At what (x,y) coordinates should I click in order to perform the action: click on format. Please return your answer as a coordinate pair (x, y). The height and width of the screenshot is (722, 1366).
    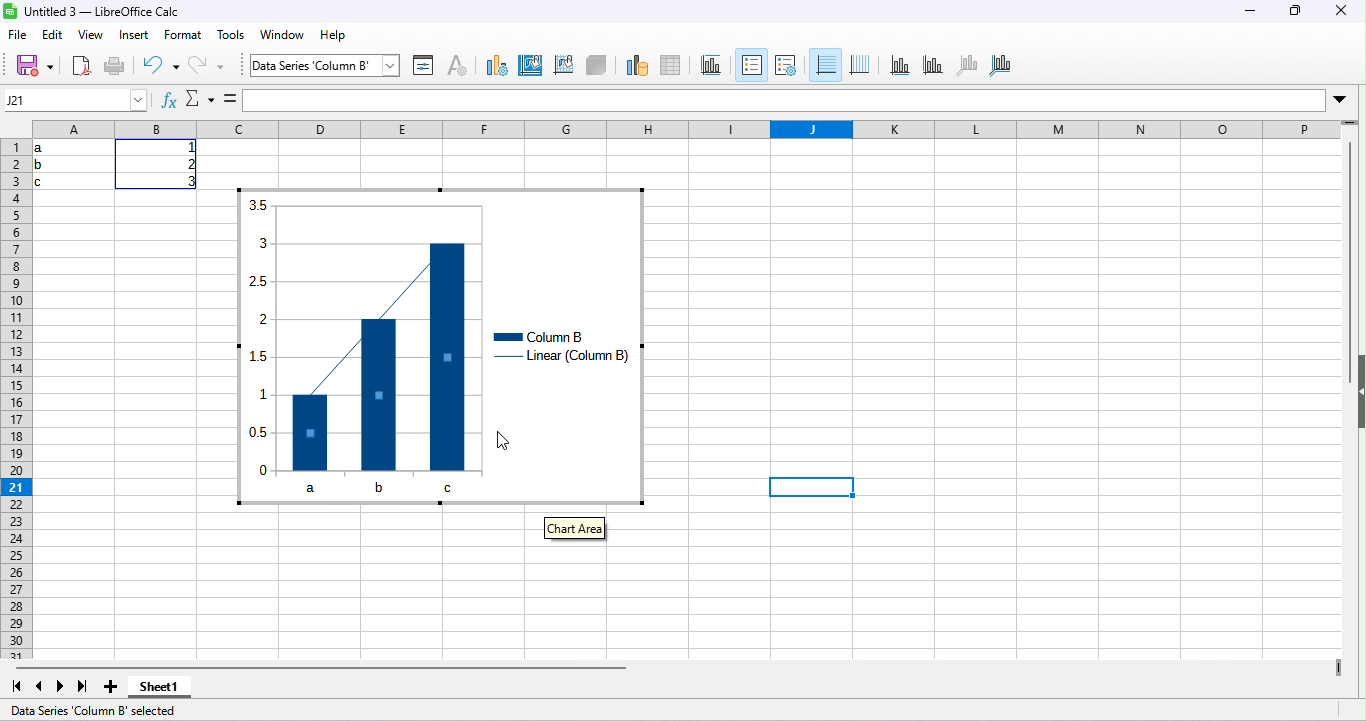
    Looking at the image, I should click on (181, 36).